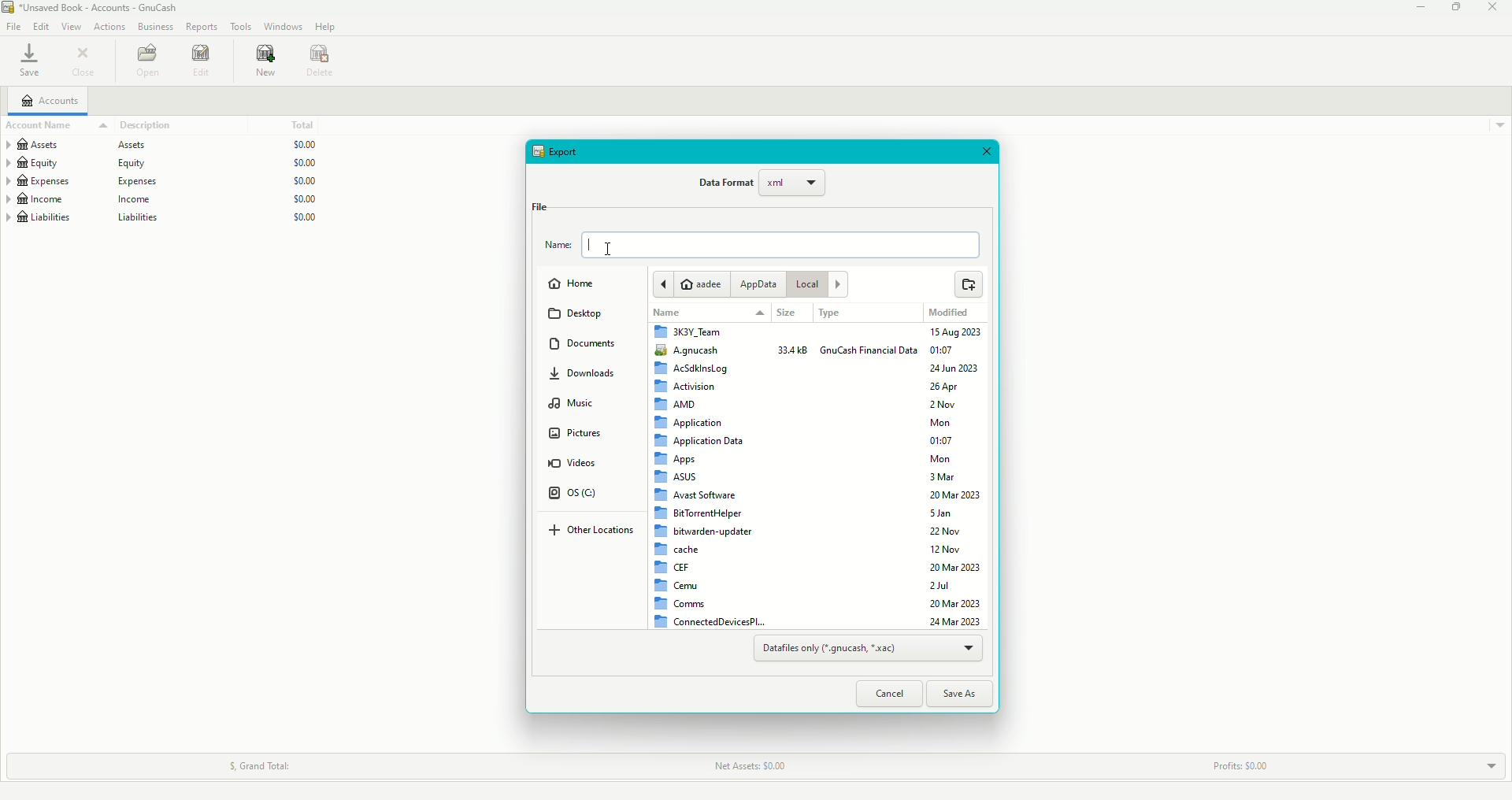 The height and width of the screenshot is (800, 1512). Describe the element at coordinates (693, 283) in the screenshot. I see `aadee` at that location.